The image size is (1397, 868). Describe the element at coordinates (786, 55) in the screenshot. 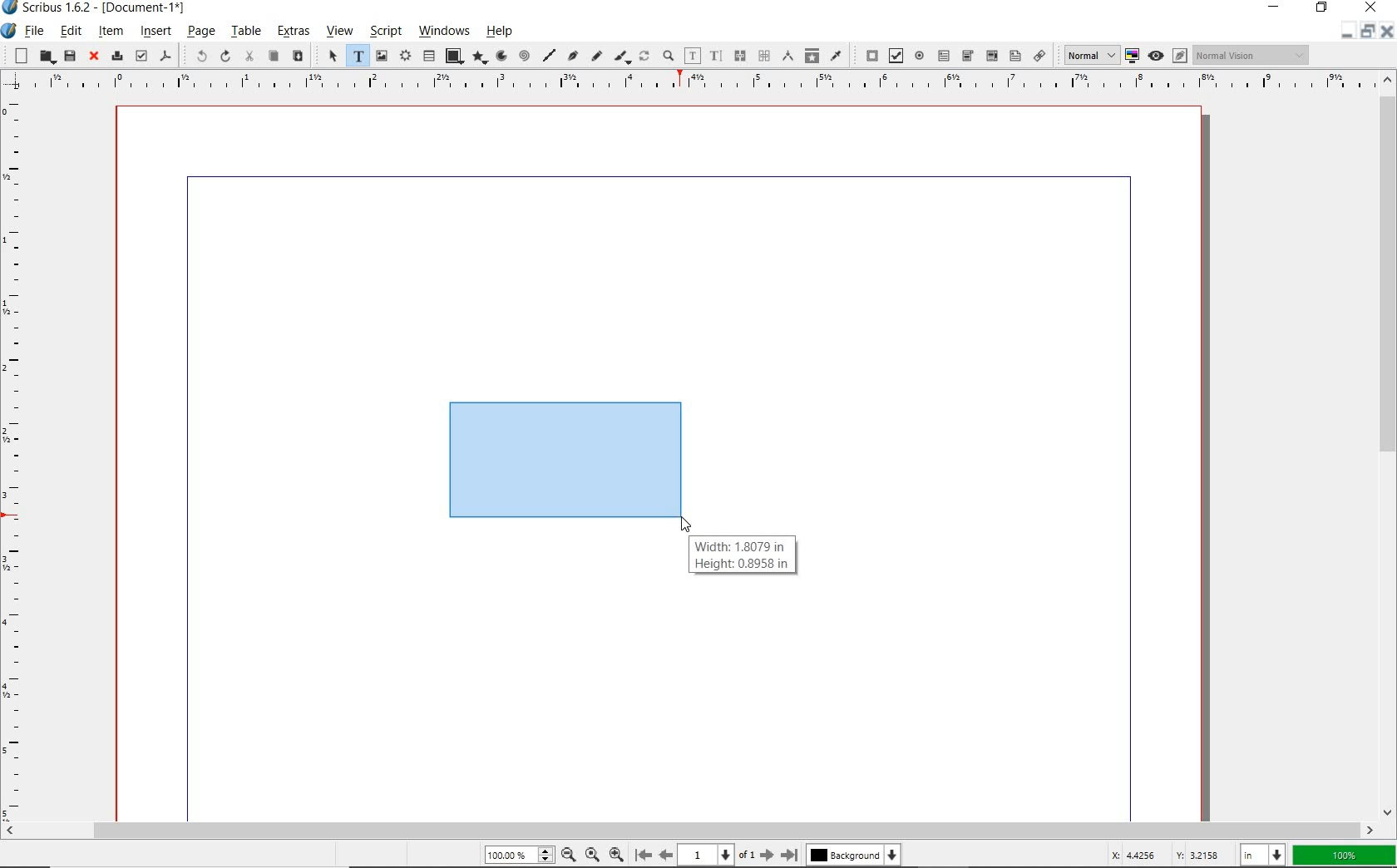

I see `measurements` at that location.